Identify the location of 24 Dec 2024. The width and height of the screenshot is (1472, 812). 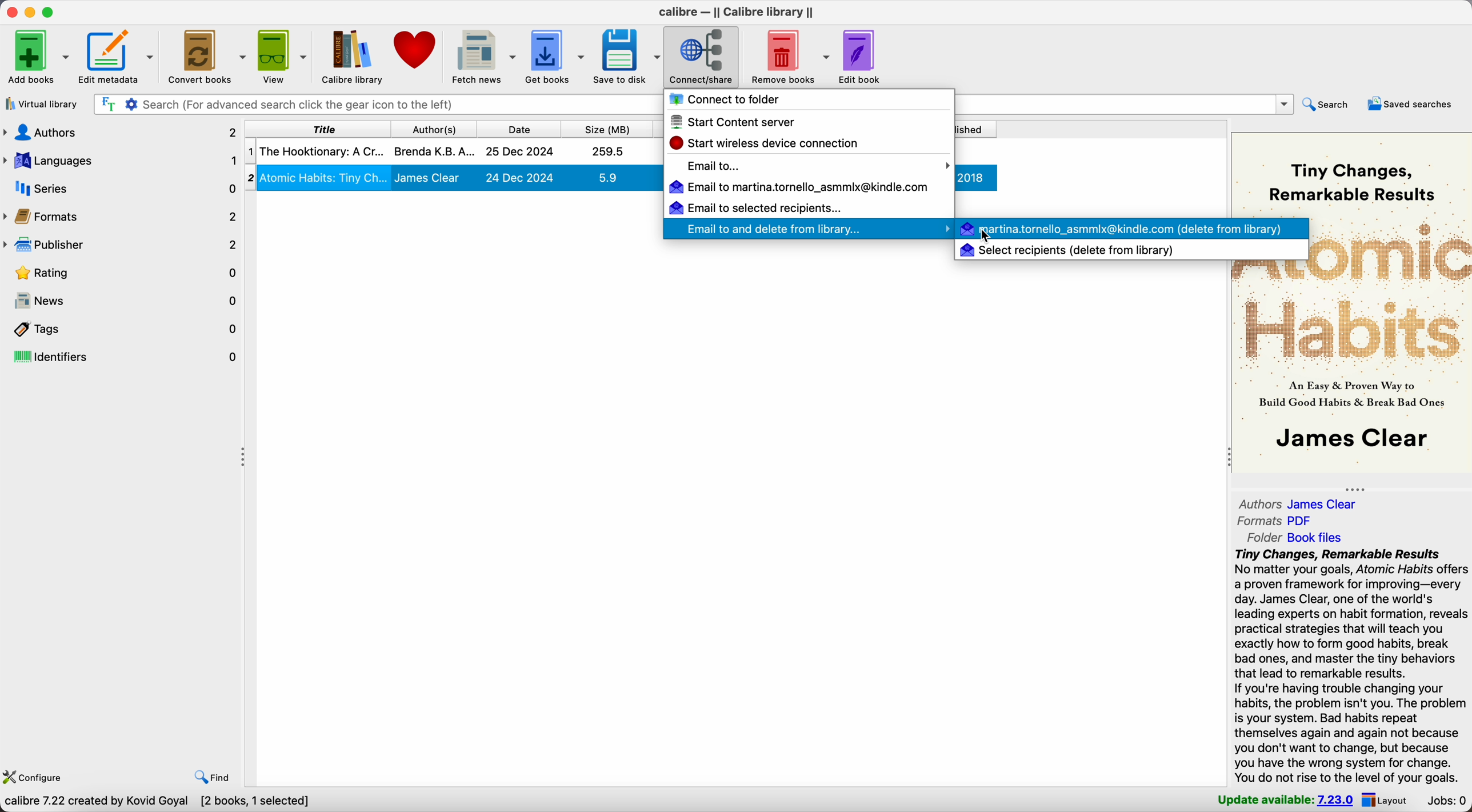
(520, 177).